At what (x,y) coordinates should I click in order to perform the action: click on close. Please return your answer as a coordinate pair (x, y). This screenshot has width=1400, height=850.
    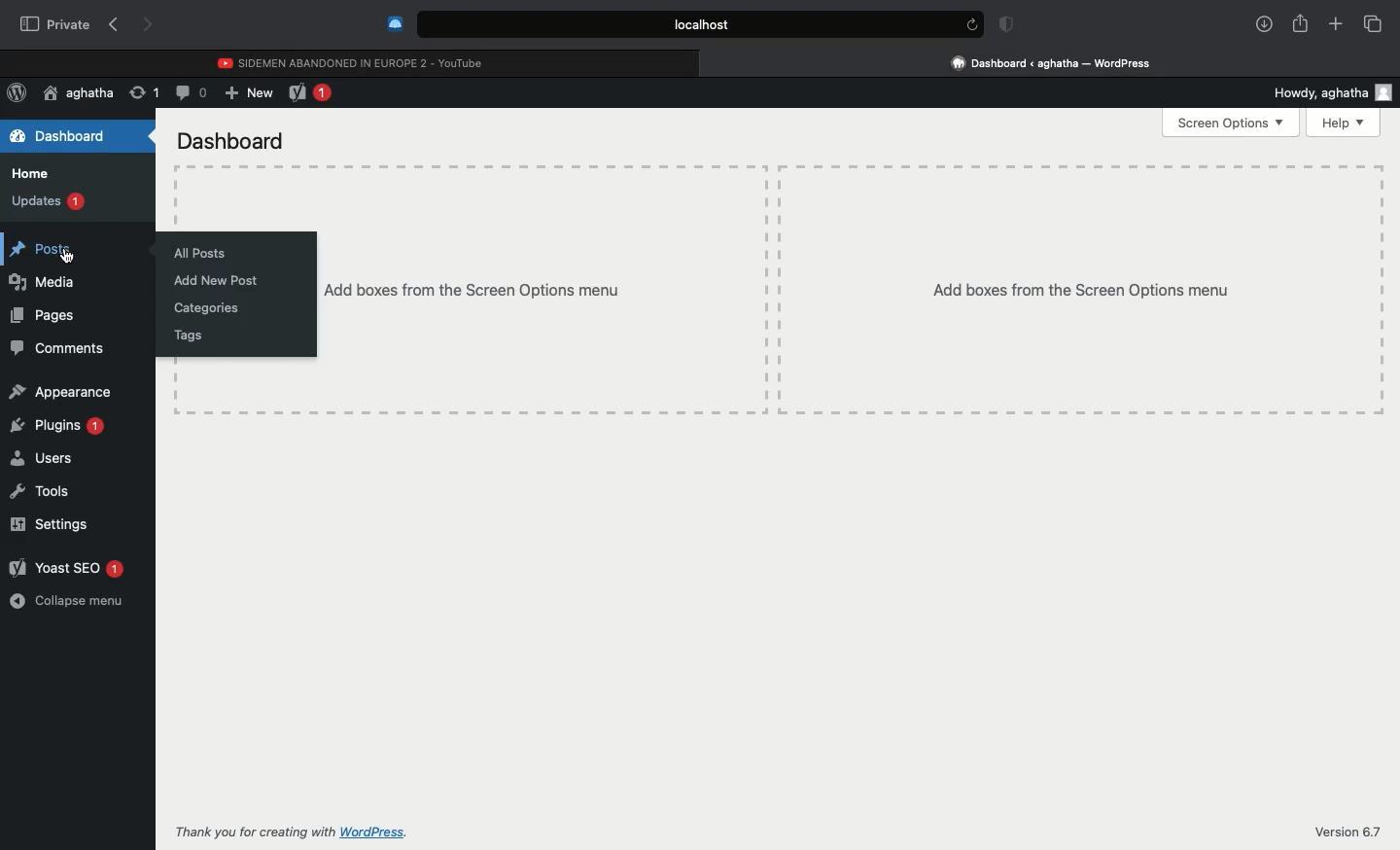
    Looking at the image, I should click on (709, 62).